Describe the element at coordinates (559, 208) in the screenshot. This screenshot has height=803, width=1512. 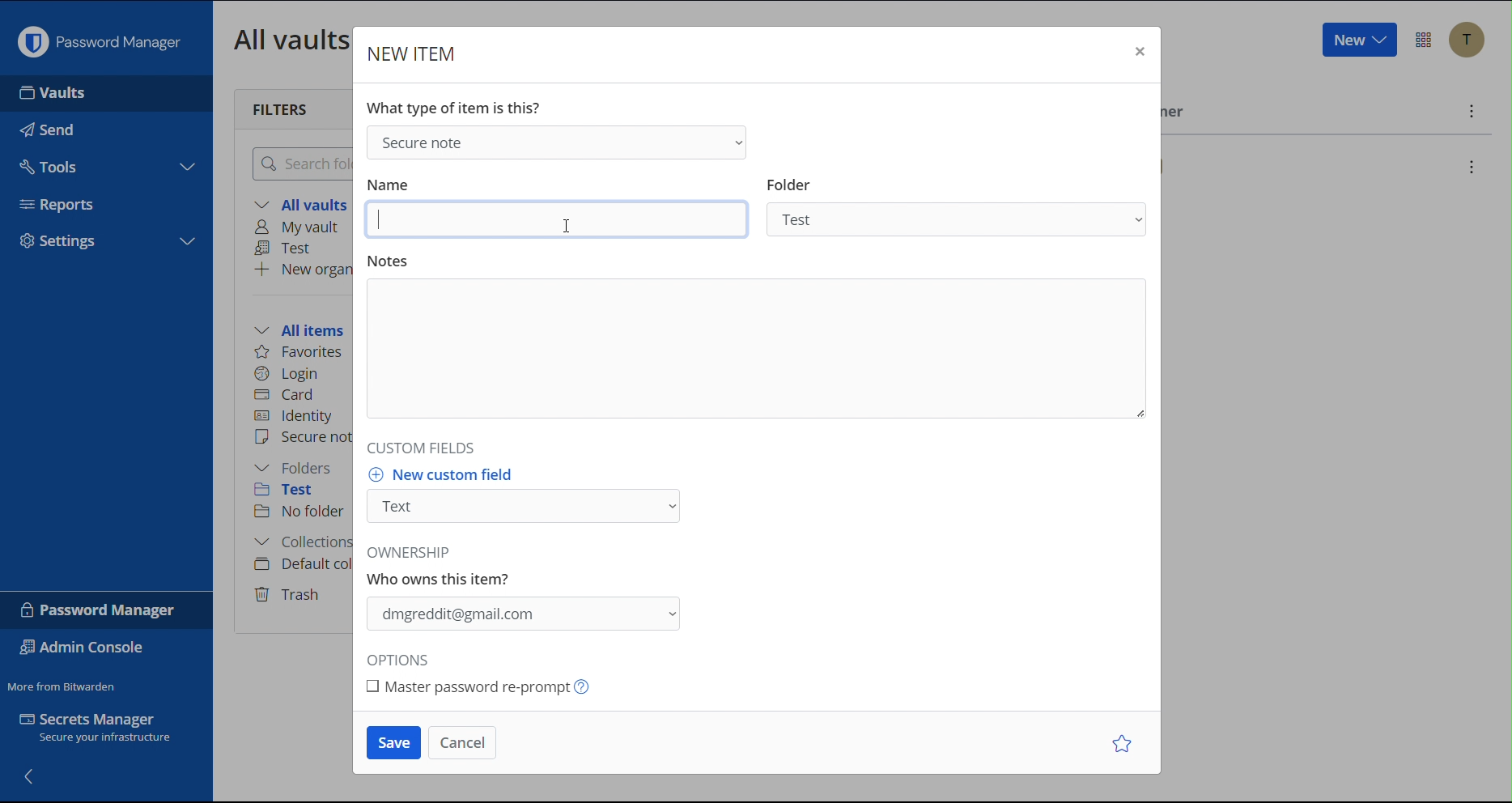
I see `Name` at that location.